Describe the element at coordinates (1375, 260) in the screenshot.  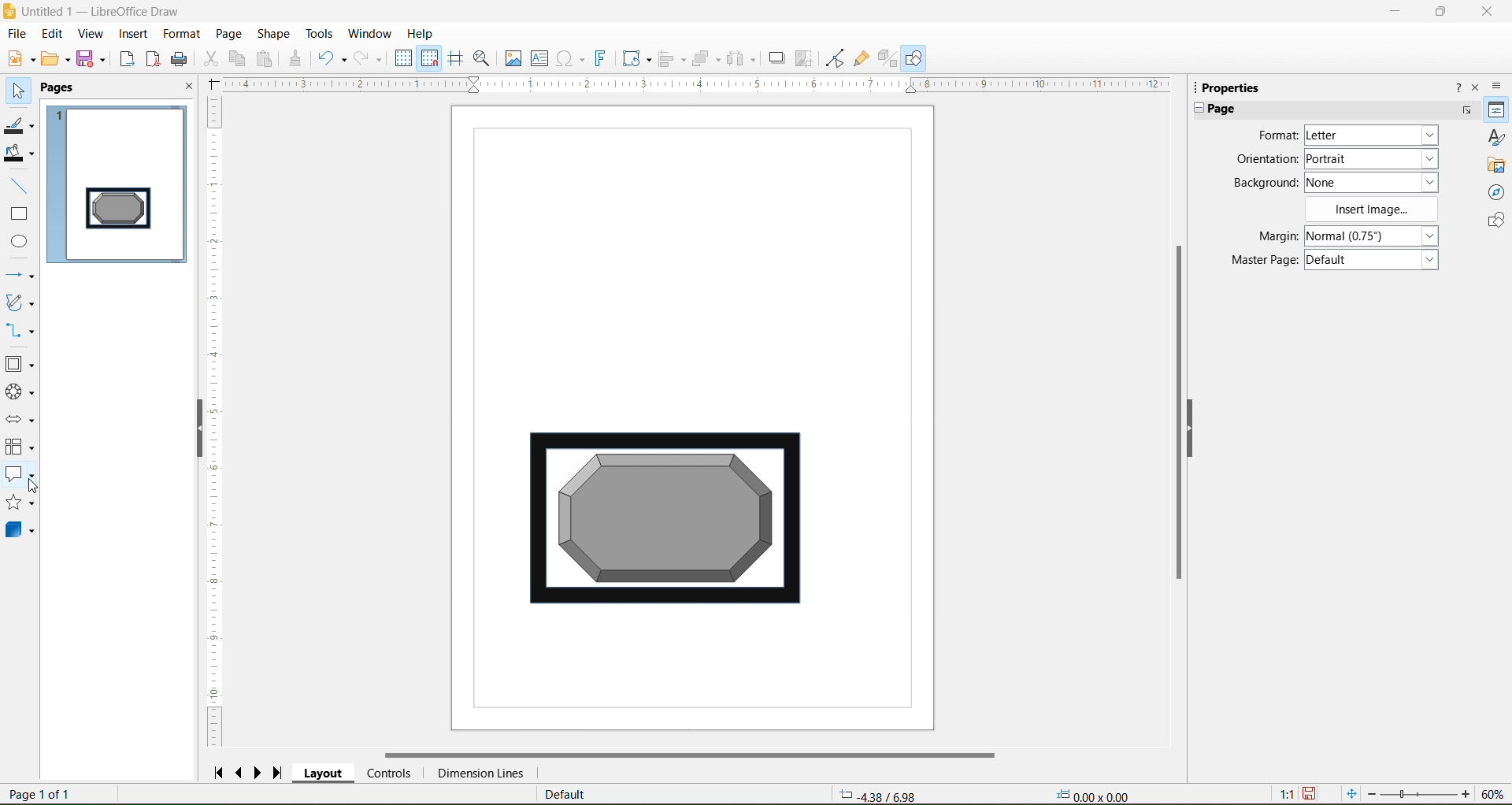
I see `Select master page` at that location.